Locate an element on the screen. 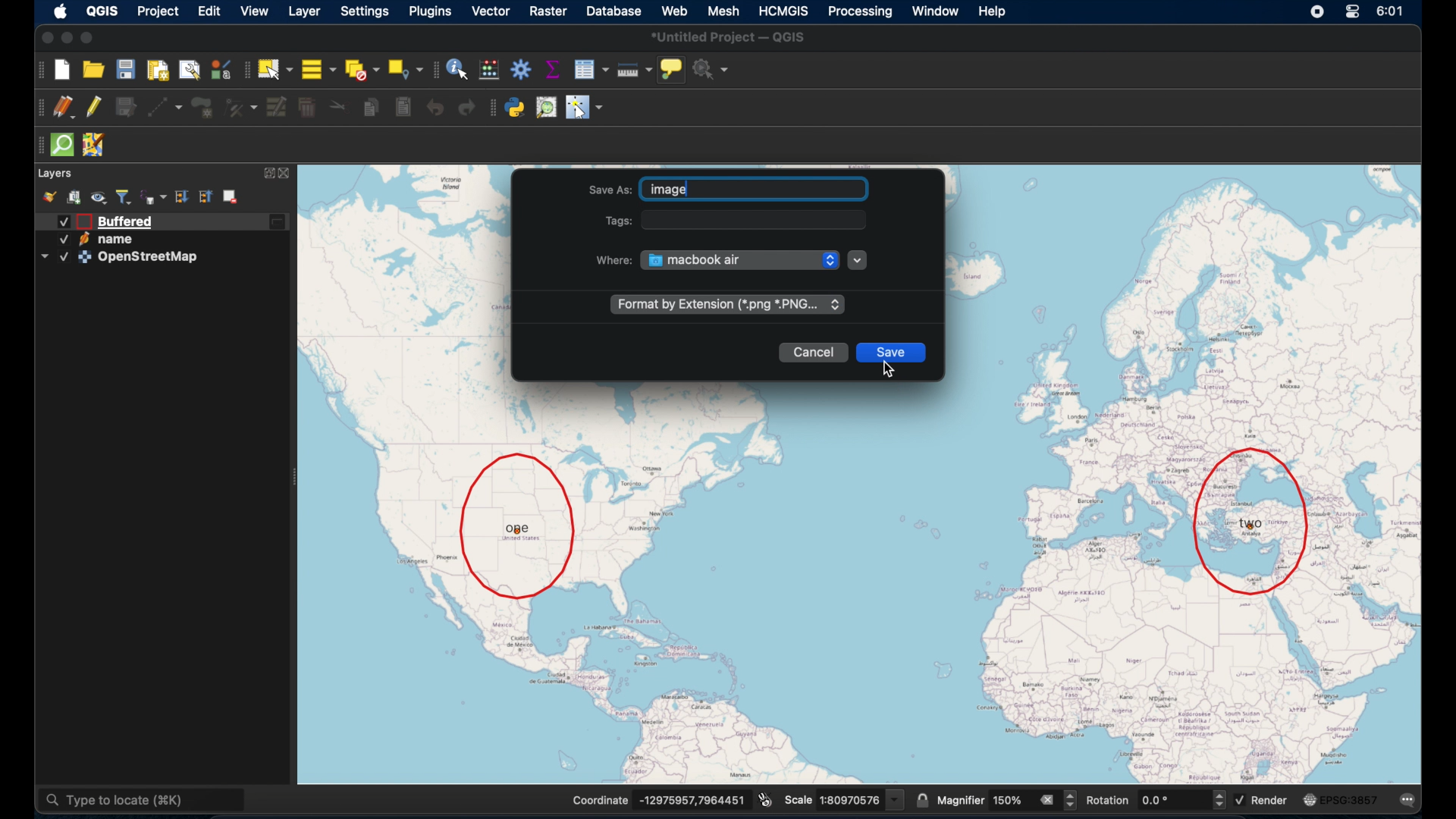 Image resolution: width=1456 pixels, height=819 pixels. EPSG:3875 is located at coordinates (1351, 800).